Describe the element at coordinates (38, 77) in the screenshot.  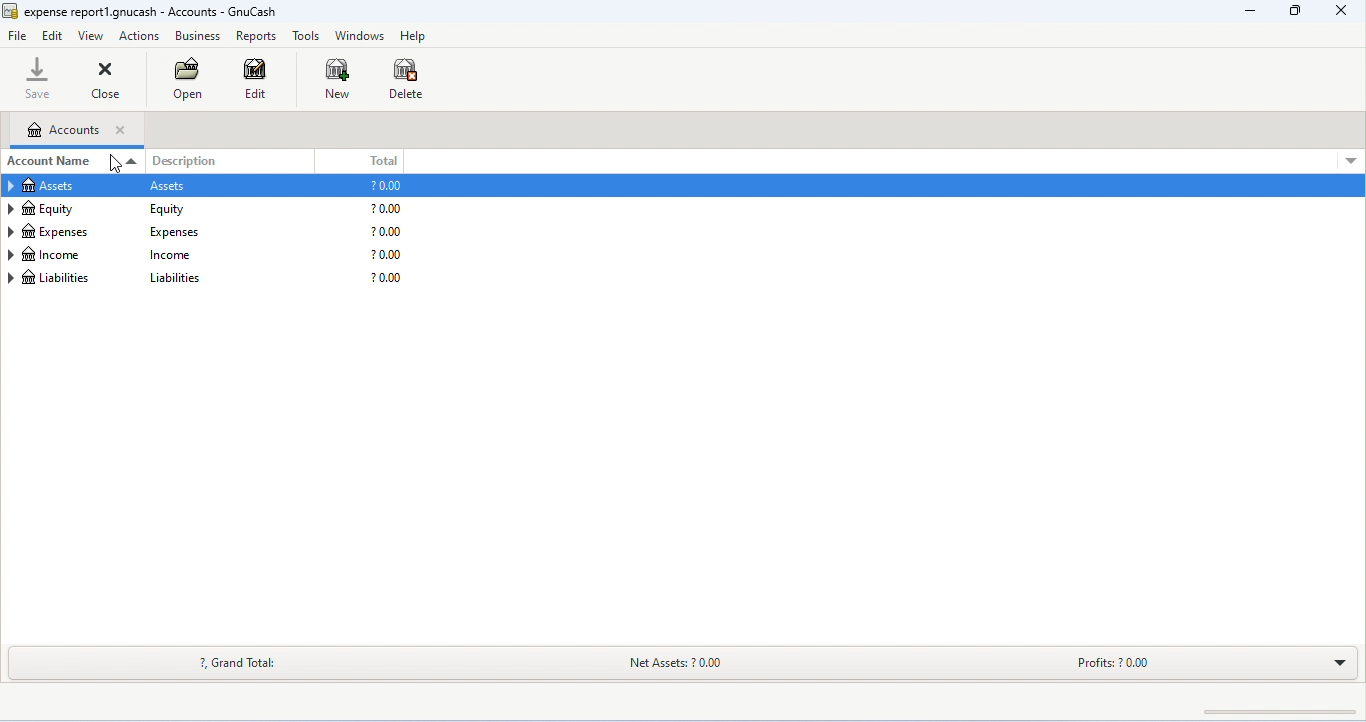
I see `save` at that location.